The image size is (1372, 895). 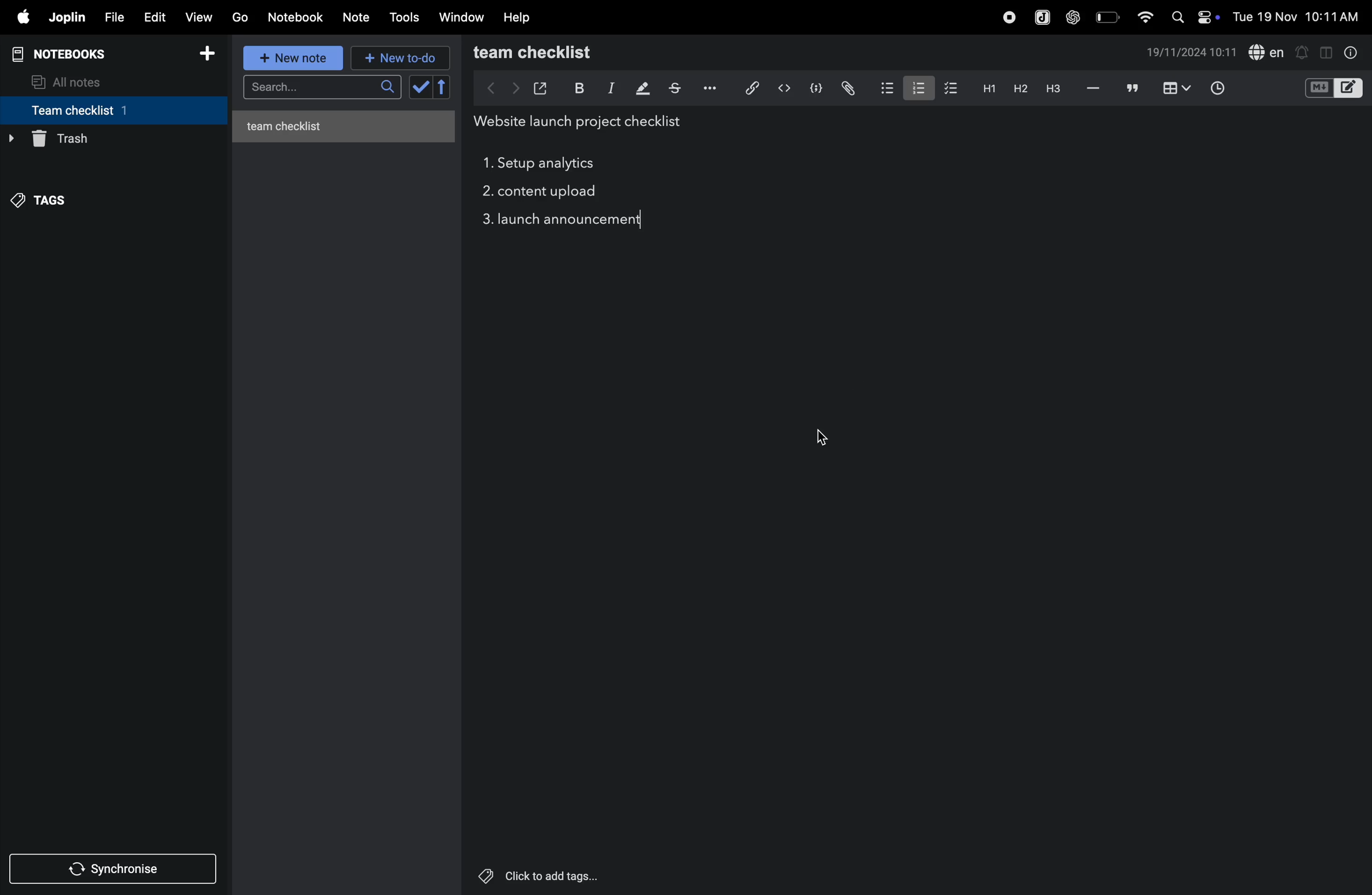 I want to click on , so click(x=1301, y=51).